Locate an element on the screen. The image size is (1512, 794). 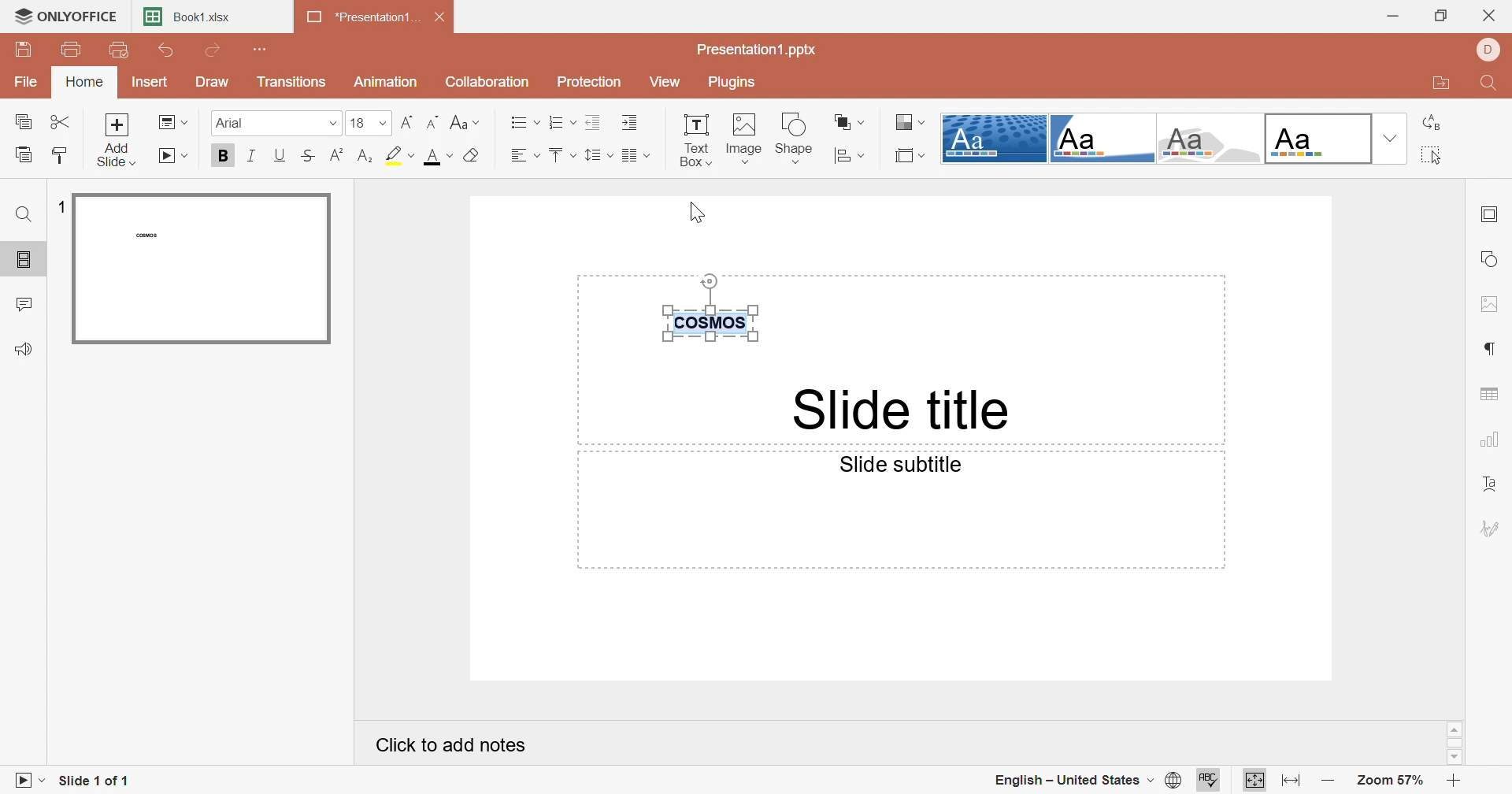
Side subtitle is located at coordinates (897, 463).